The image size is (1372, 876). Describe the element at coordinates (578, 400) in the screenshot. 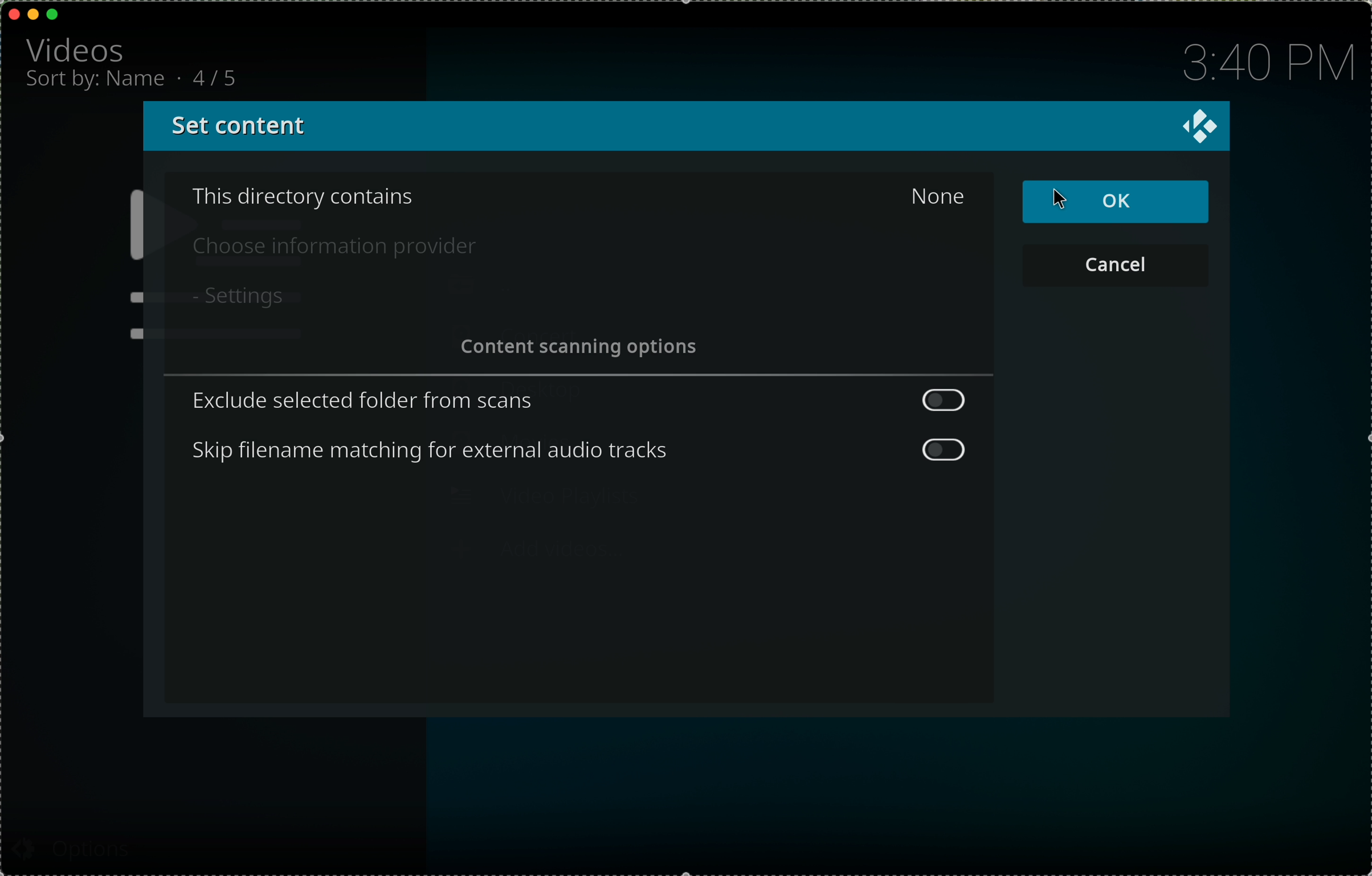

I see `exclude selected folder from scans option` at that location.